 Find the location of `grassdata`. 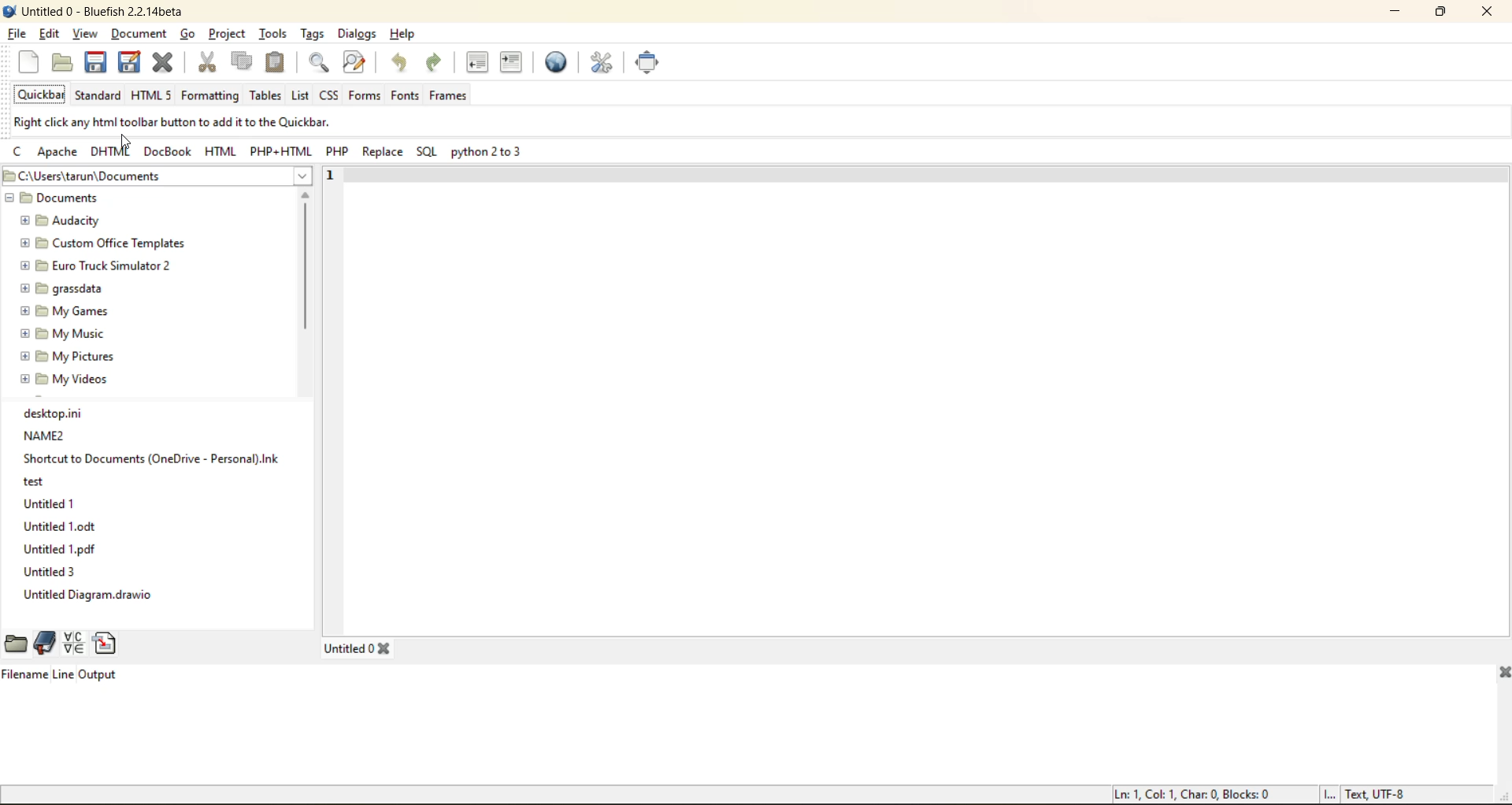

grassdata is located at coordinates (61, 289).